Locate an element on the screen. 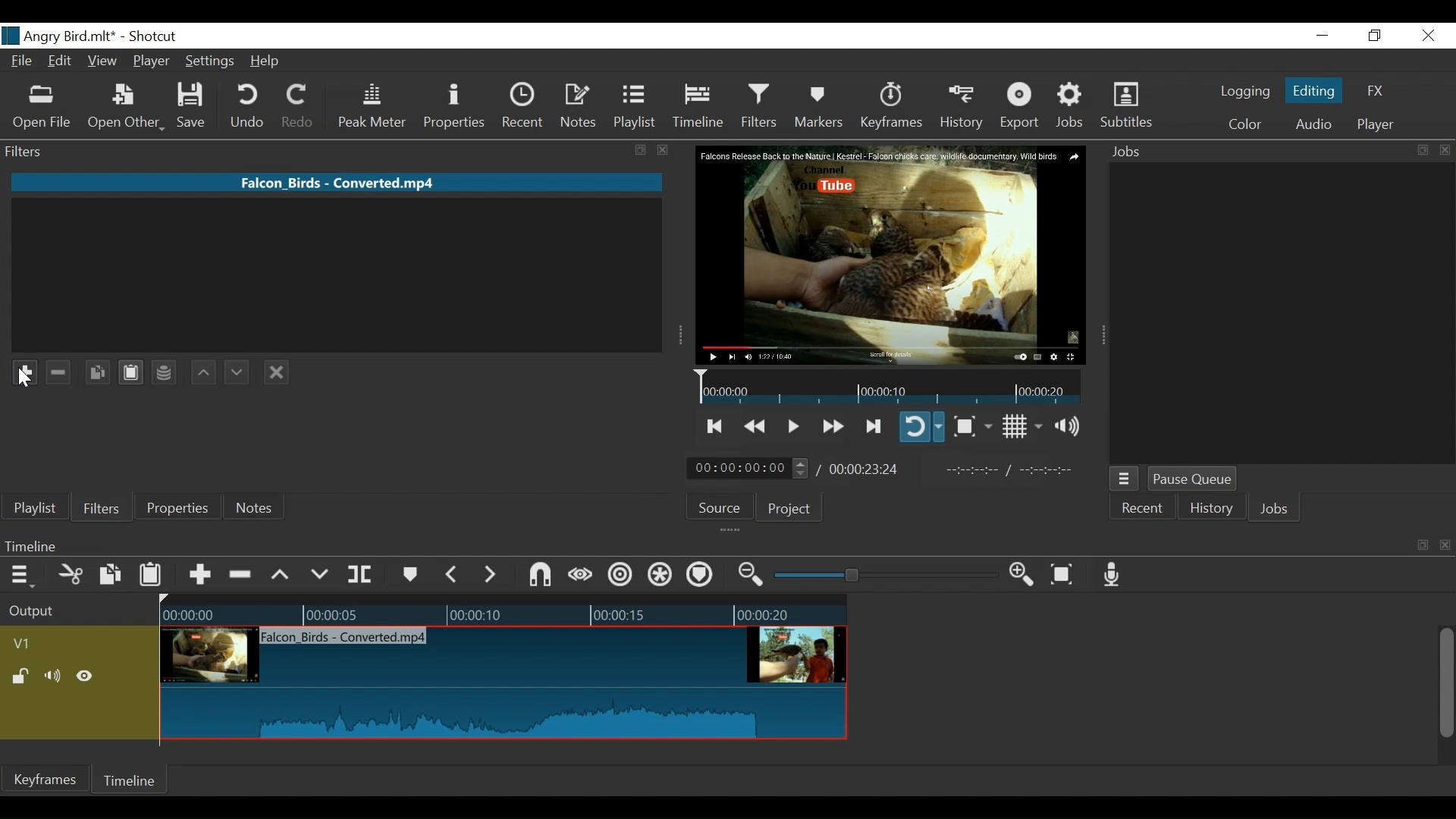 The width and height of the screenshot is (1456, 819). Jobs Panel is located at coordinates (1280, 314).